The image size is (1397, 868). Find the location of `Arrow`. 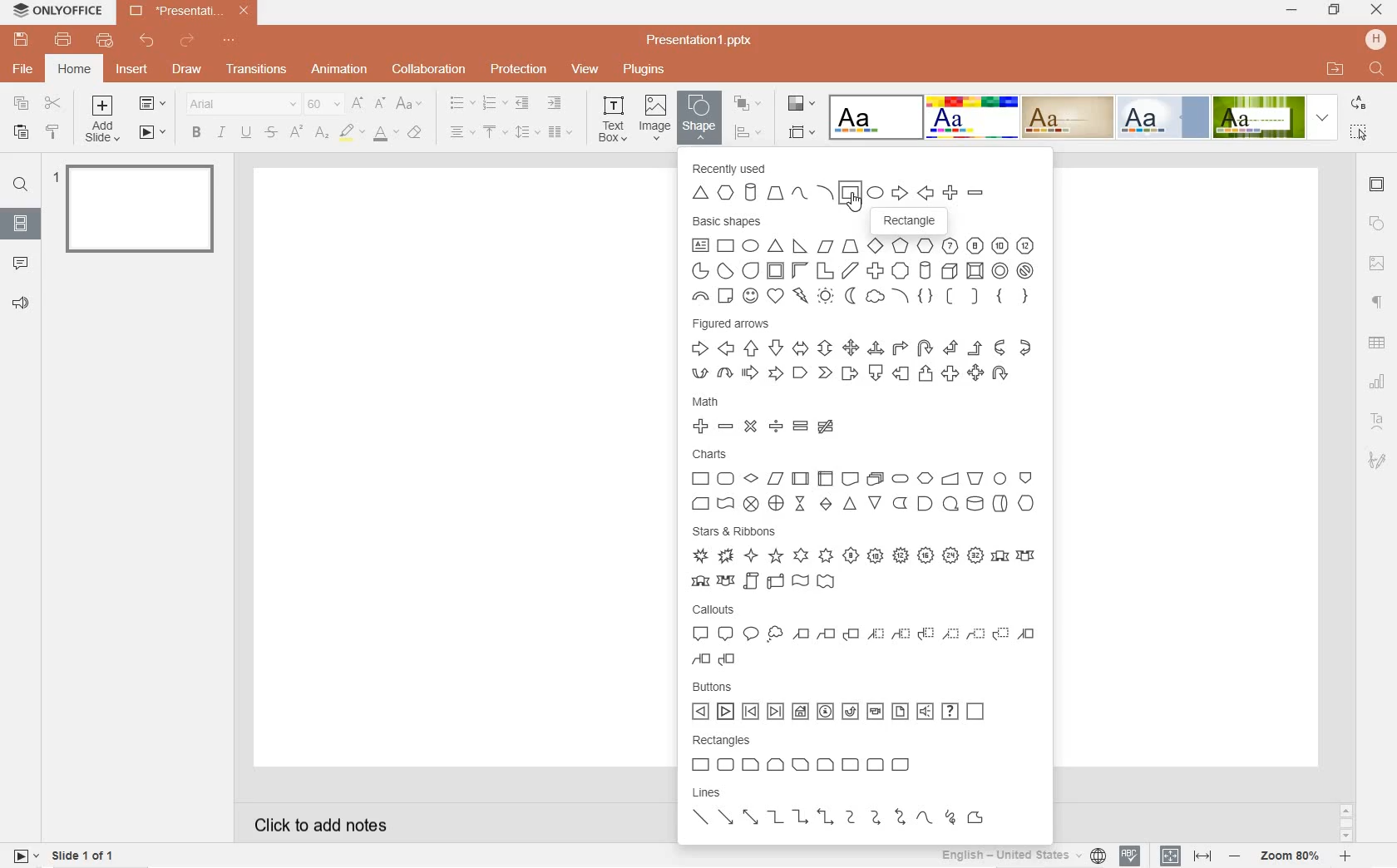

Arrow is located at coordinates (727, 819).